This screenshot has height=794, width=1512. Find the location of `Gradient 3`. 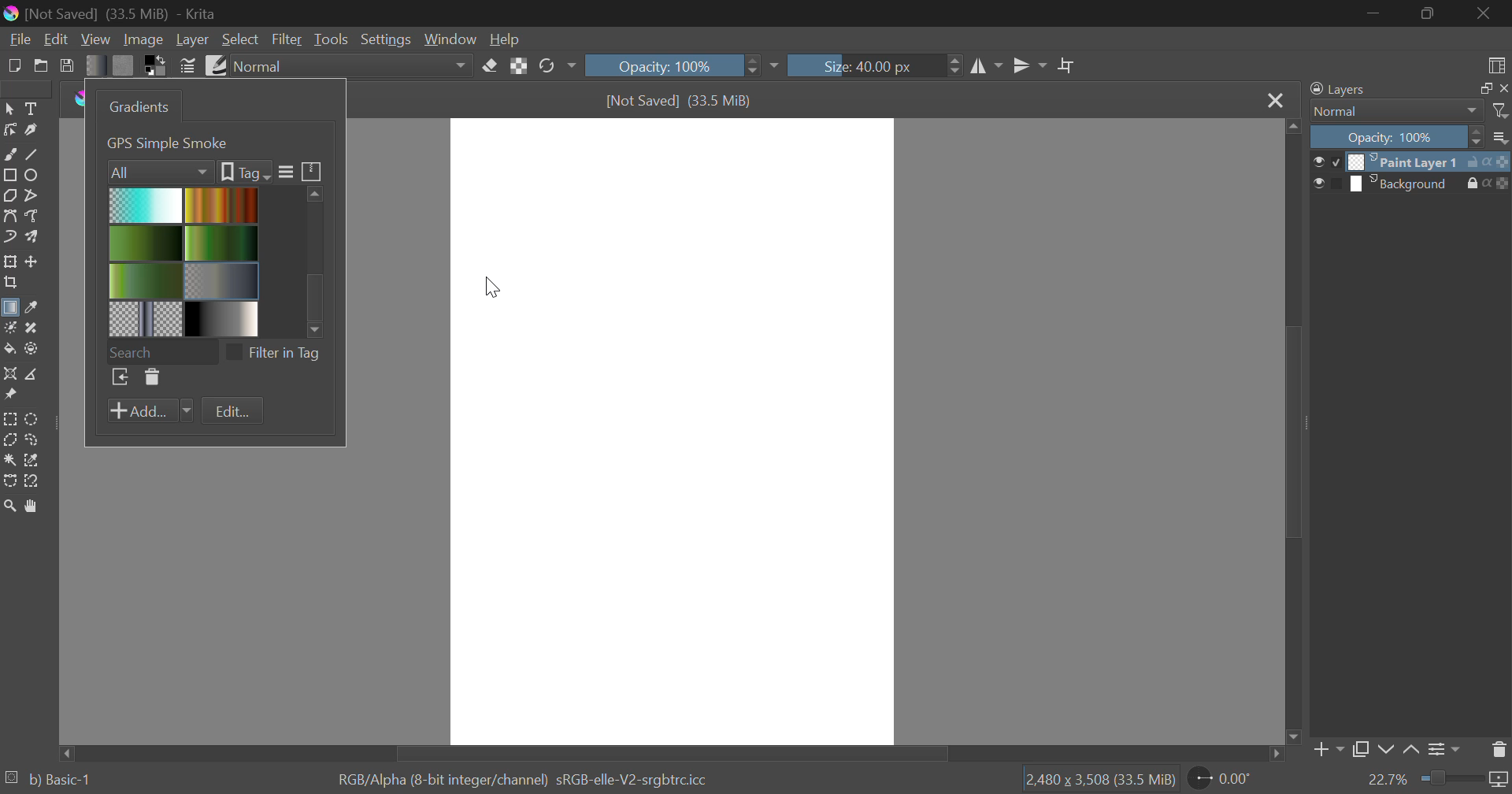

Gradient 3 is located at coordinates (146, 243).